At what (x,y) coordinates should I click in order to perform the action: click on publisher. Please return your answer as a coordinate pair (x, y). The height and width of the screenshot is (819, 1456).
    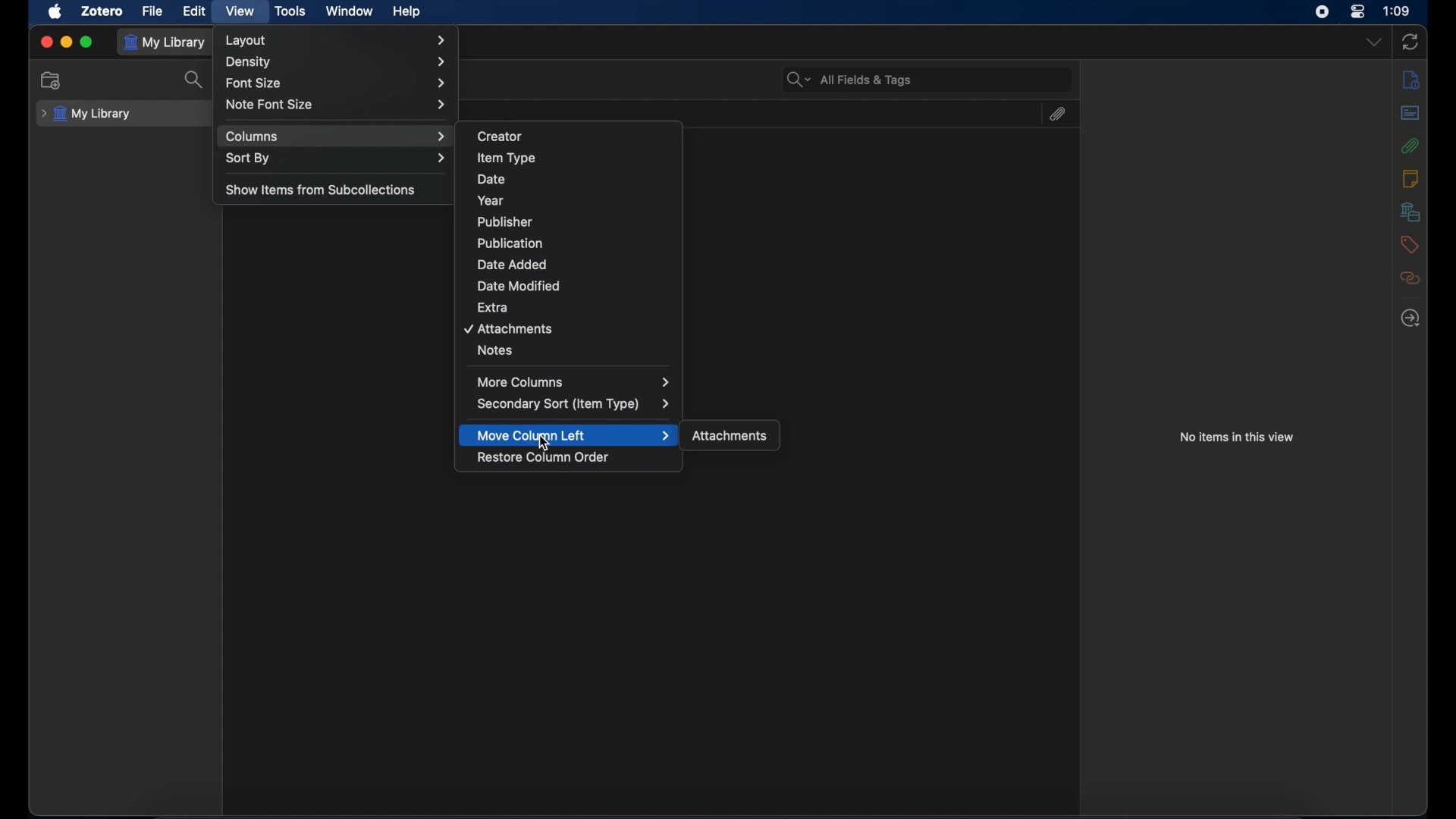
    Looking at the image, I should click on (506, 222).